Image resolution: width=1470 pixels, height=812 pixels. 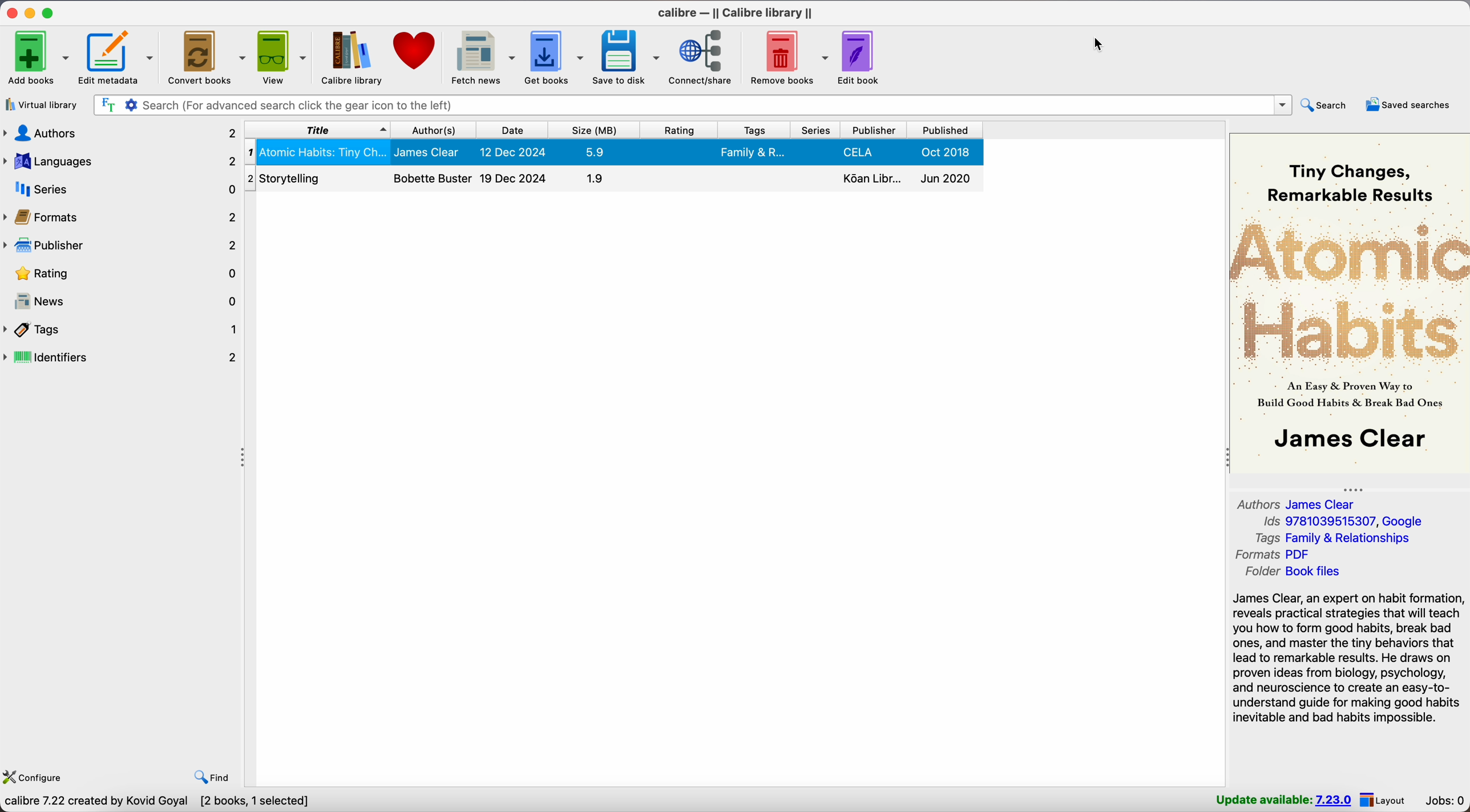 I want to click on configure, so click(x=34, y=775).